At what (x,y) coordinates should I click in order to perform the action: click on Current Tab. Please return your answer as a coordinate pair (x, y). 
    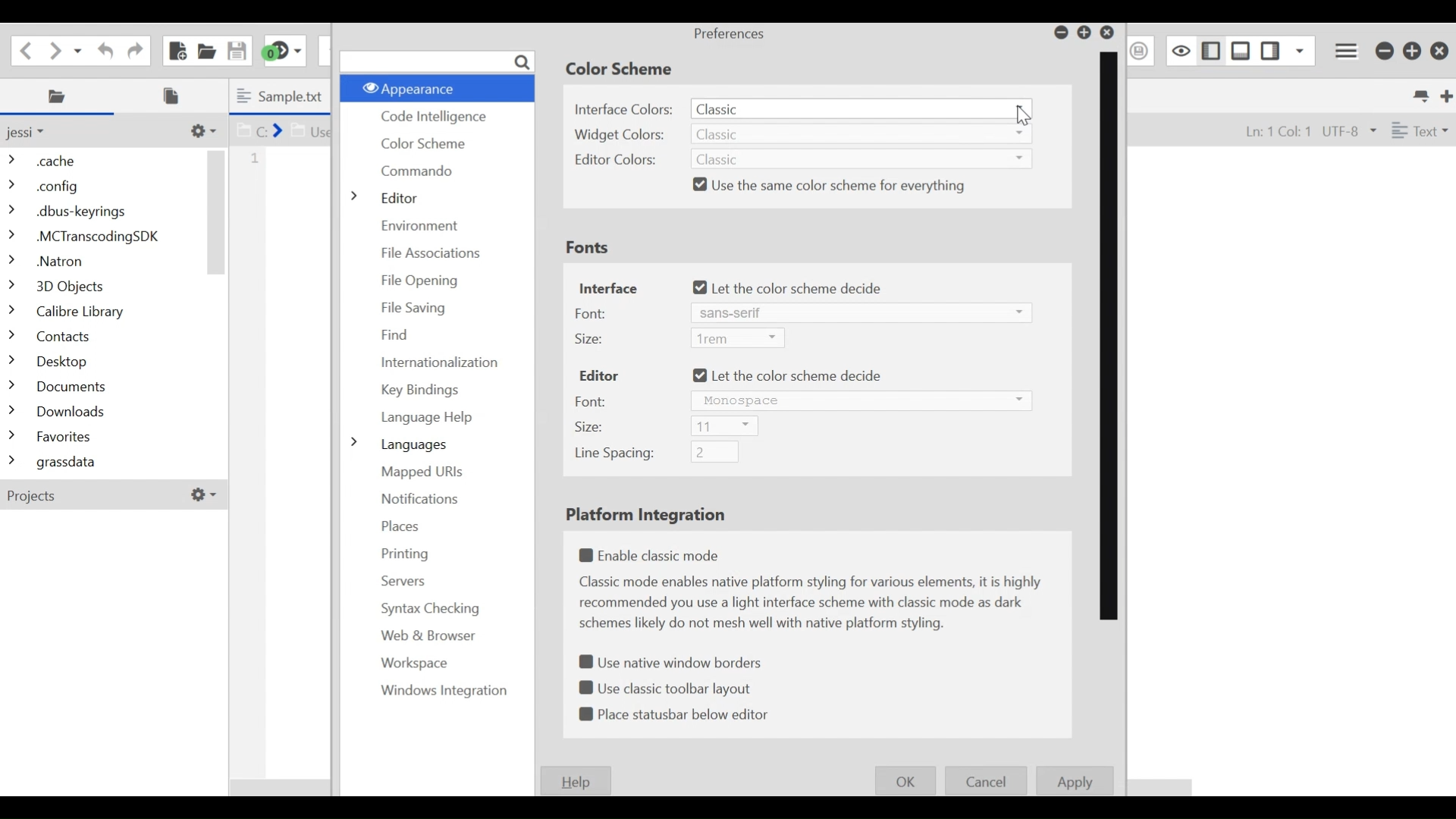
    Looking at the image, I should click on (283, 96).